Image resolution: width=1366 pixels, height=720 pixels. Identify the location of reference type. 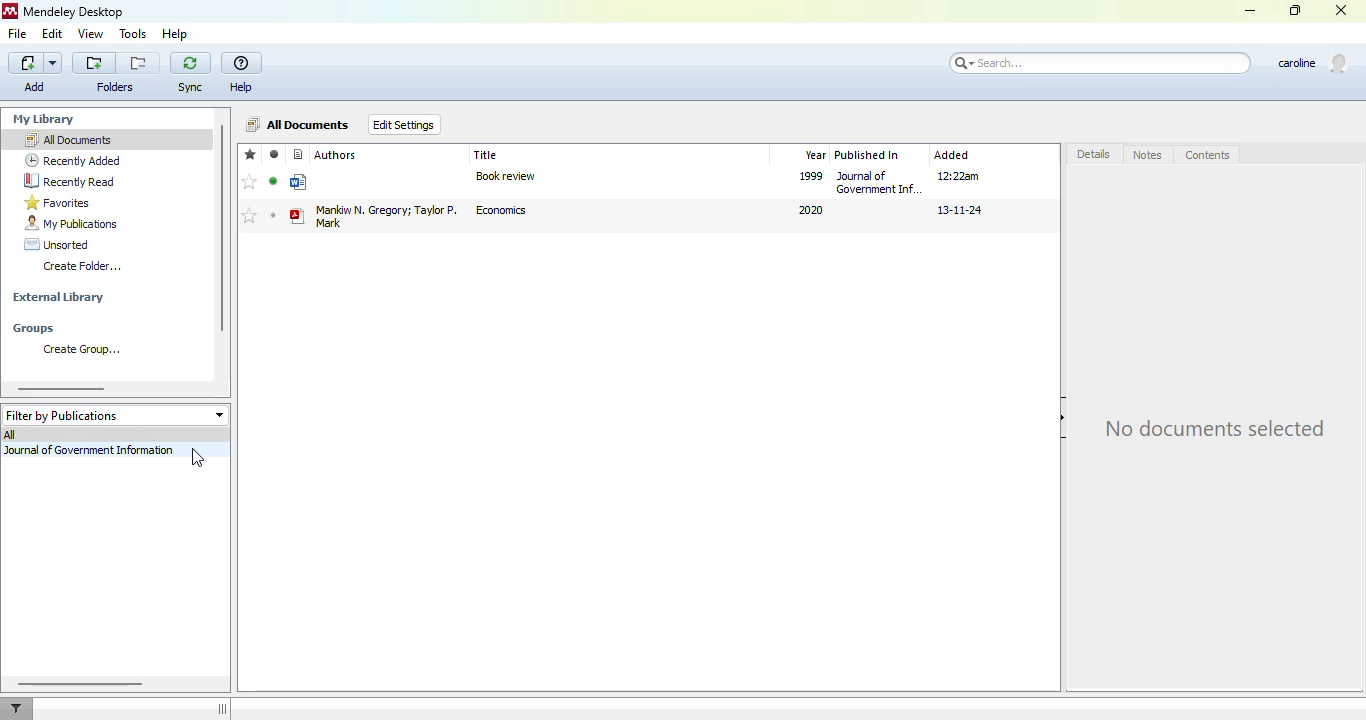
(299, 154).